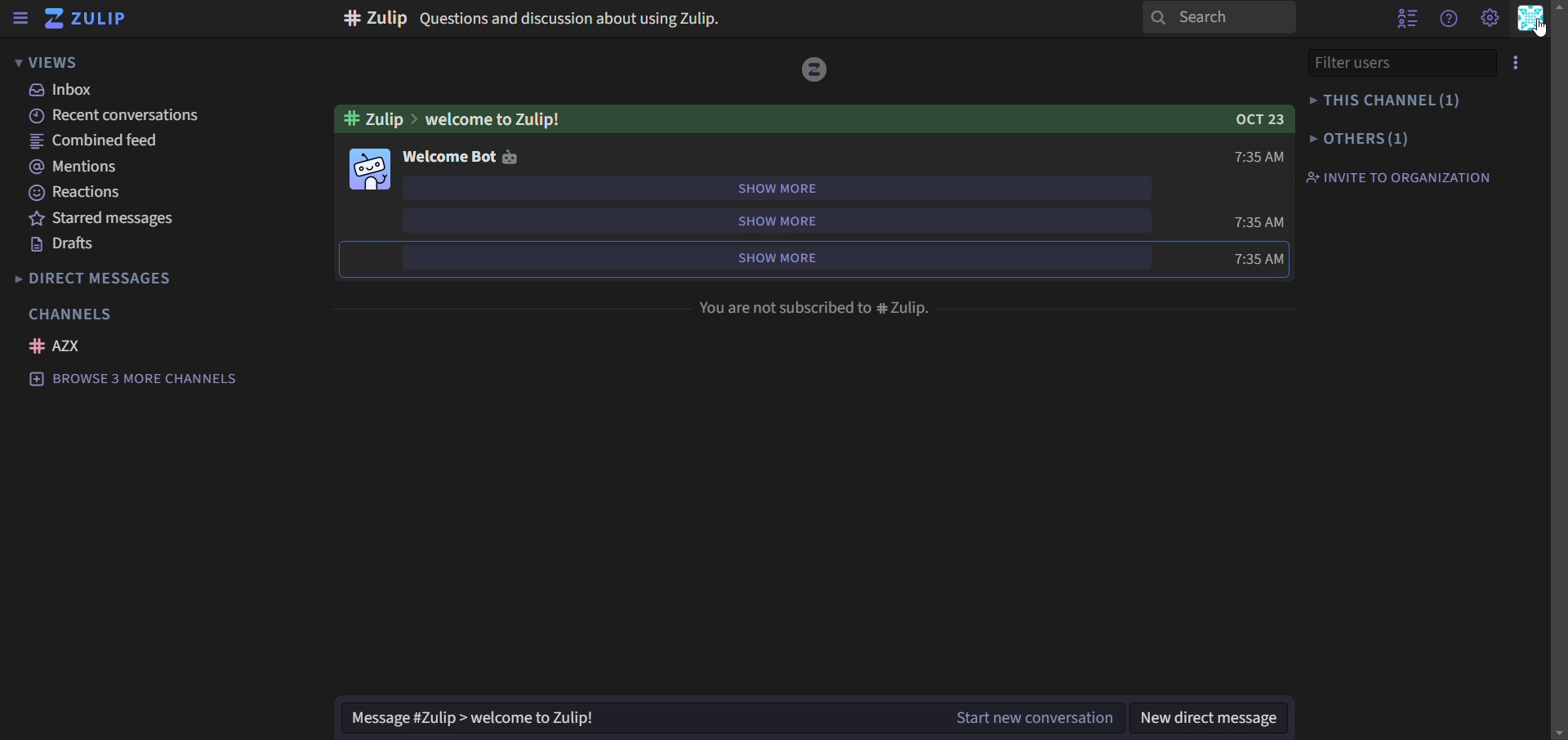 The width and height of the screenshot is (1568, 740). What do you see at coordinates (135, 380) in the screenshot?
I see `browse 3 more channels` at bounding box center [135, 380].